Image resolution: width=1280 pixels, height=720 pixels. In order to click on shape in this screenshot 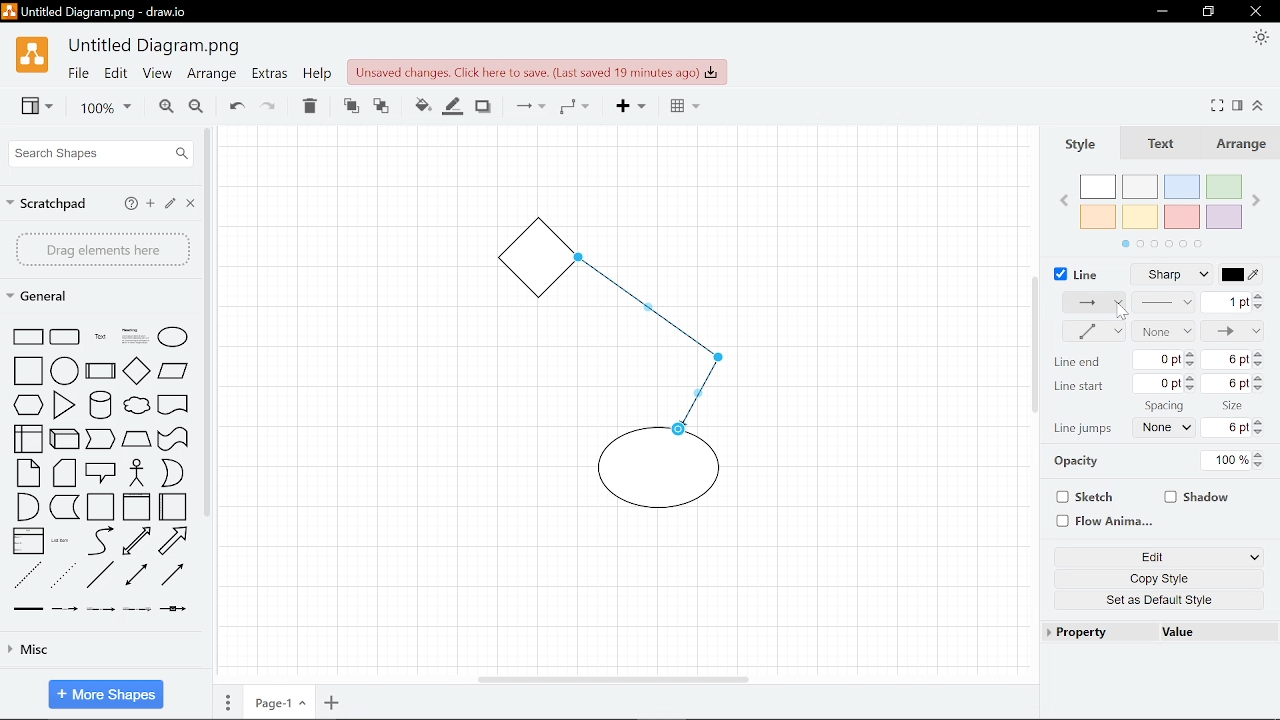, I will do `click(176, 577)`.